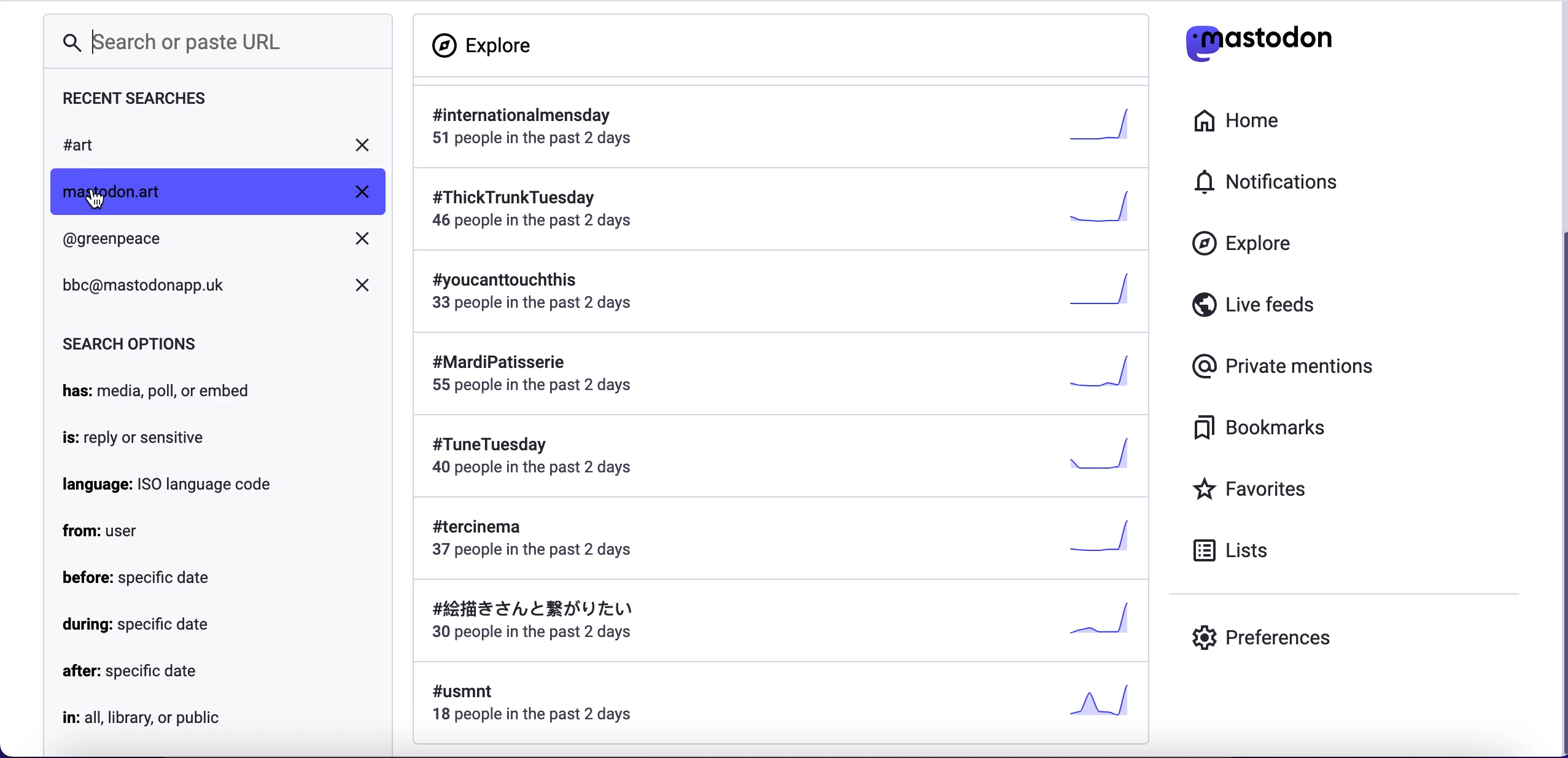  I want to click on lists, so click(1236, 550).